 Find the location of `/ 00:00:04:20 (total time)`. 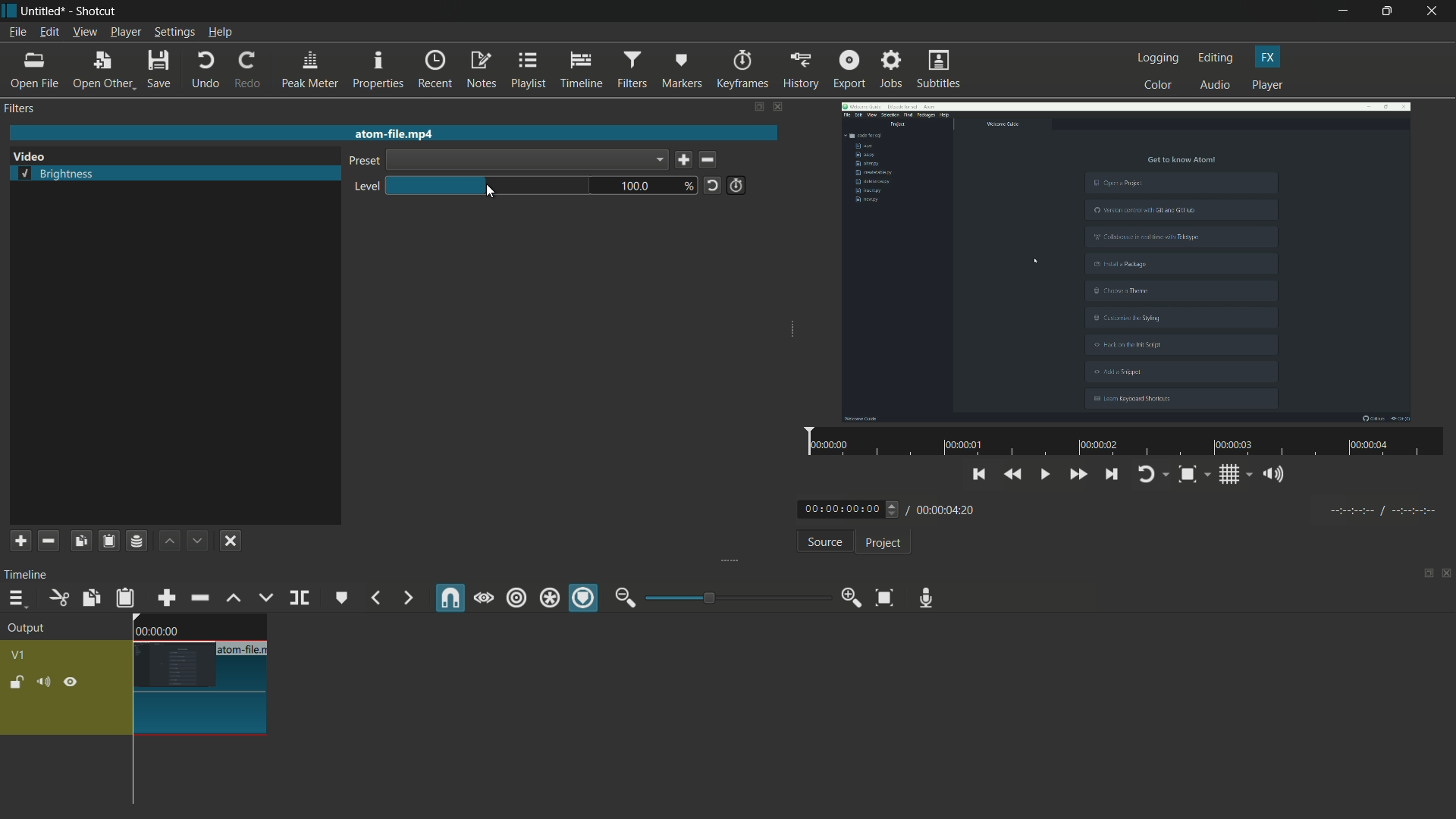

/ 00:00:04:20 (total time) is located at coordinates (944, 507).